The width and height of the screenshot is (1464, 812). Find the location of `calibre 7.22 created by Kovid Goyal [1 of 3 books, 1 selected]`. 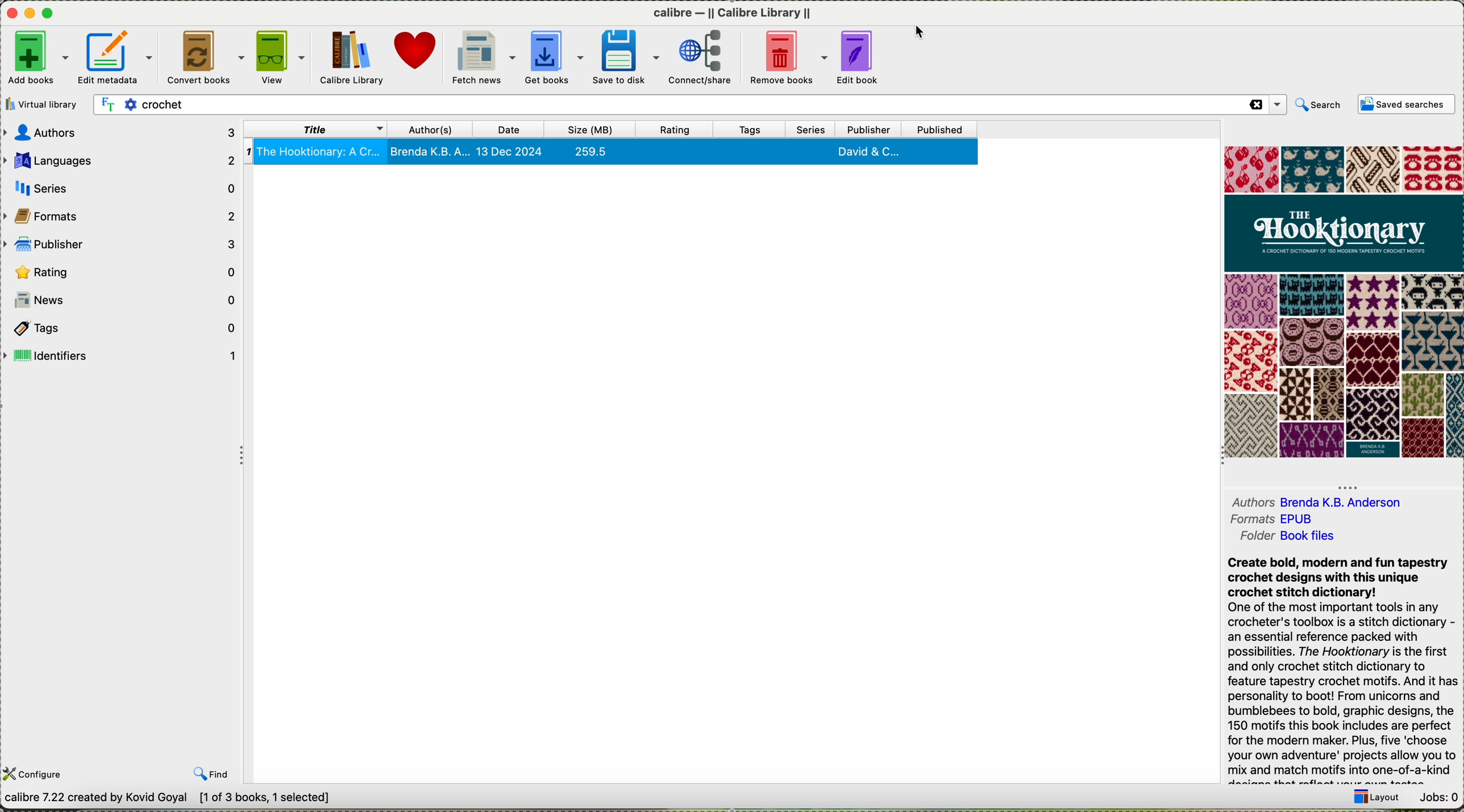

calibre 7.22 created by Kovid Goyal [1 of 3 books, 1 selected] is located at coordinates (173, 799).